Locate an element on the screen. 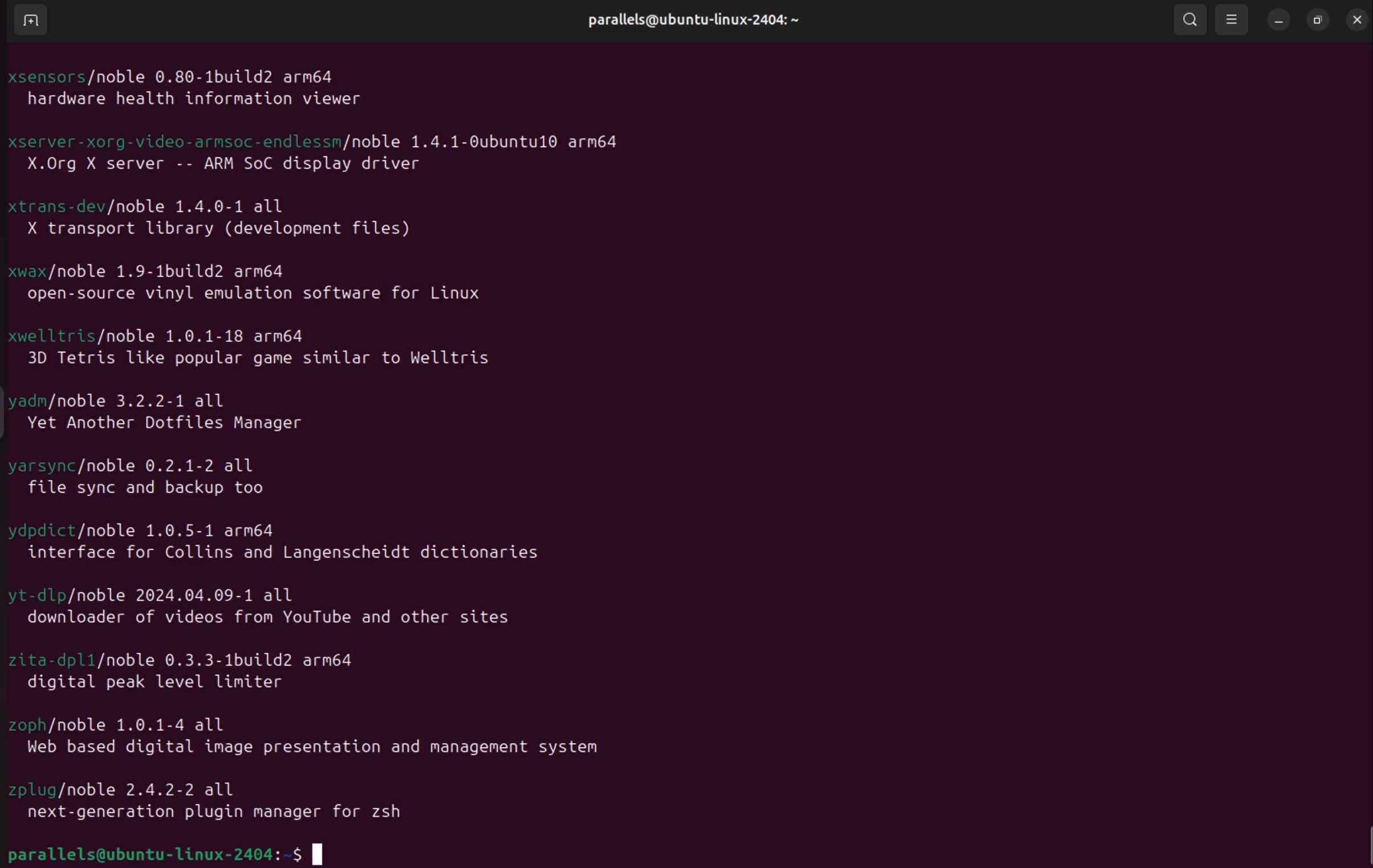  zita-dpll/noble 0.3.3-1build2 armé4
digital peak level limiter is located at coordinates (202, 674).